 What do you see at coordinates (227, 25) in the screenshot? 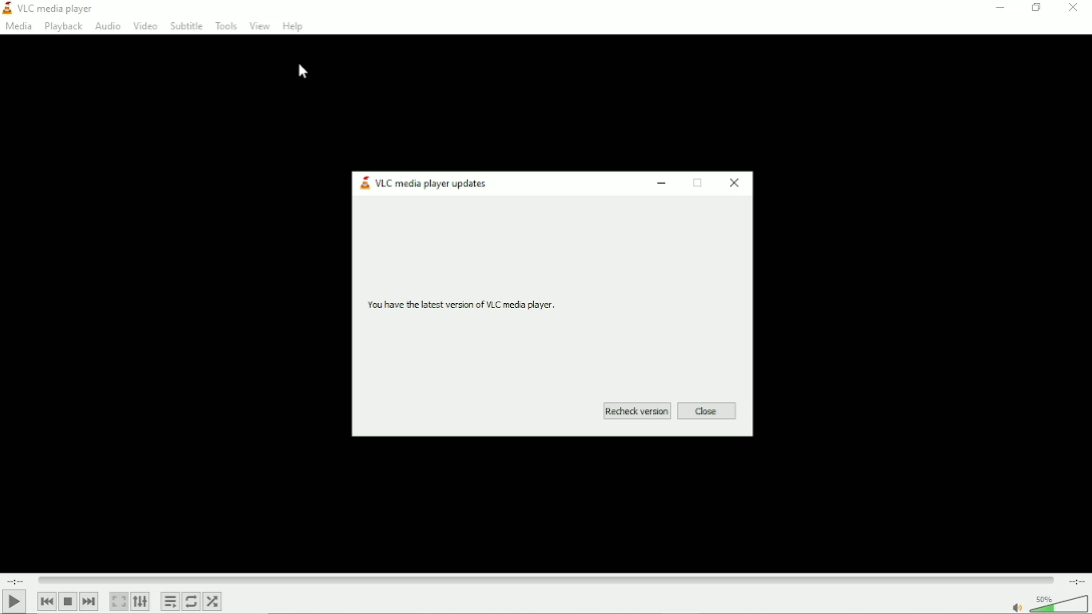
I see `Tools` at bounding box center [227, 25].